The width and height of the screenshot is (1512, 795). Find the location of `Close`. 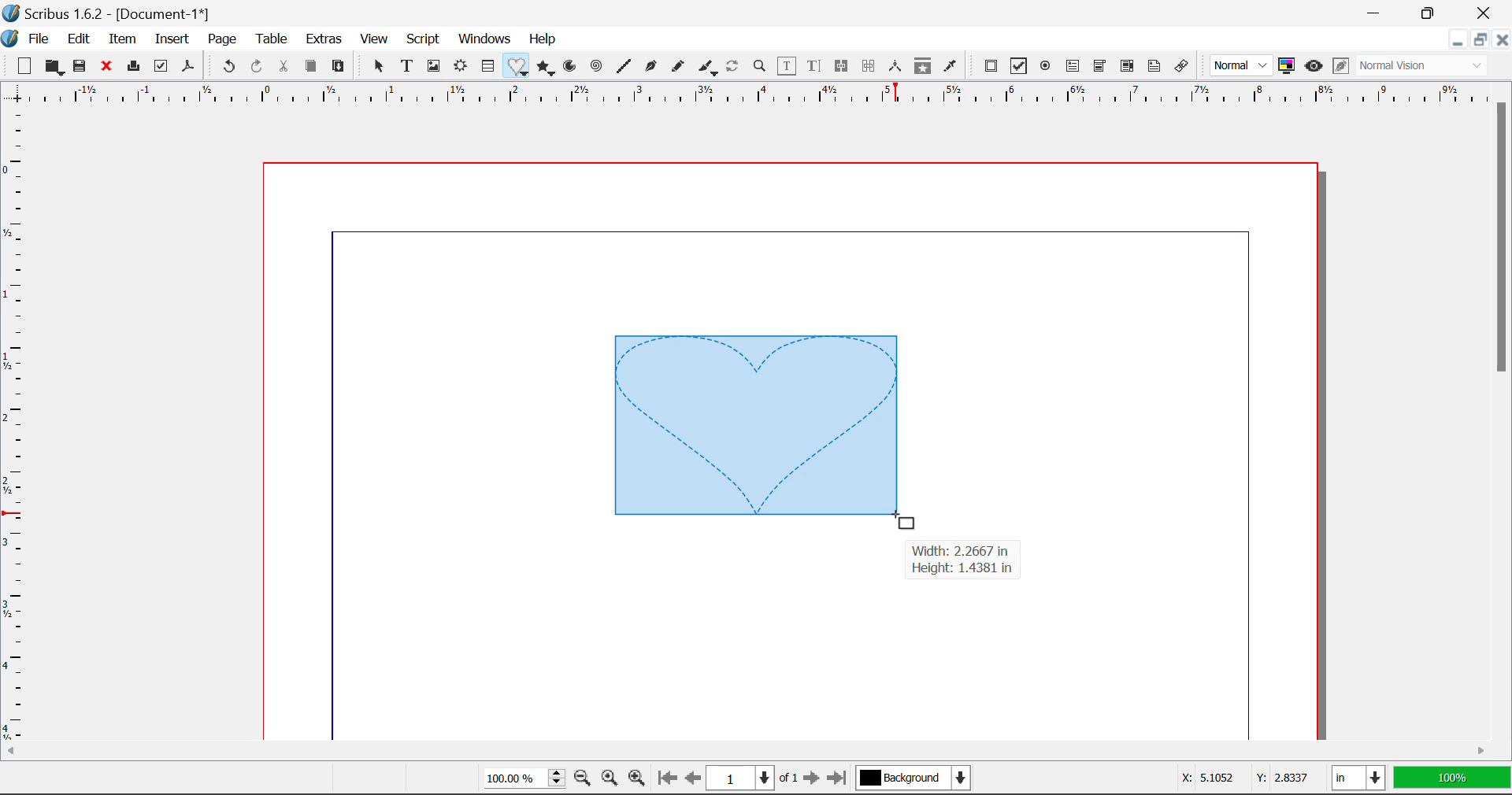

Close is located at coordinates (109, 68).